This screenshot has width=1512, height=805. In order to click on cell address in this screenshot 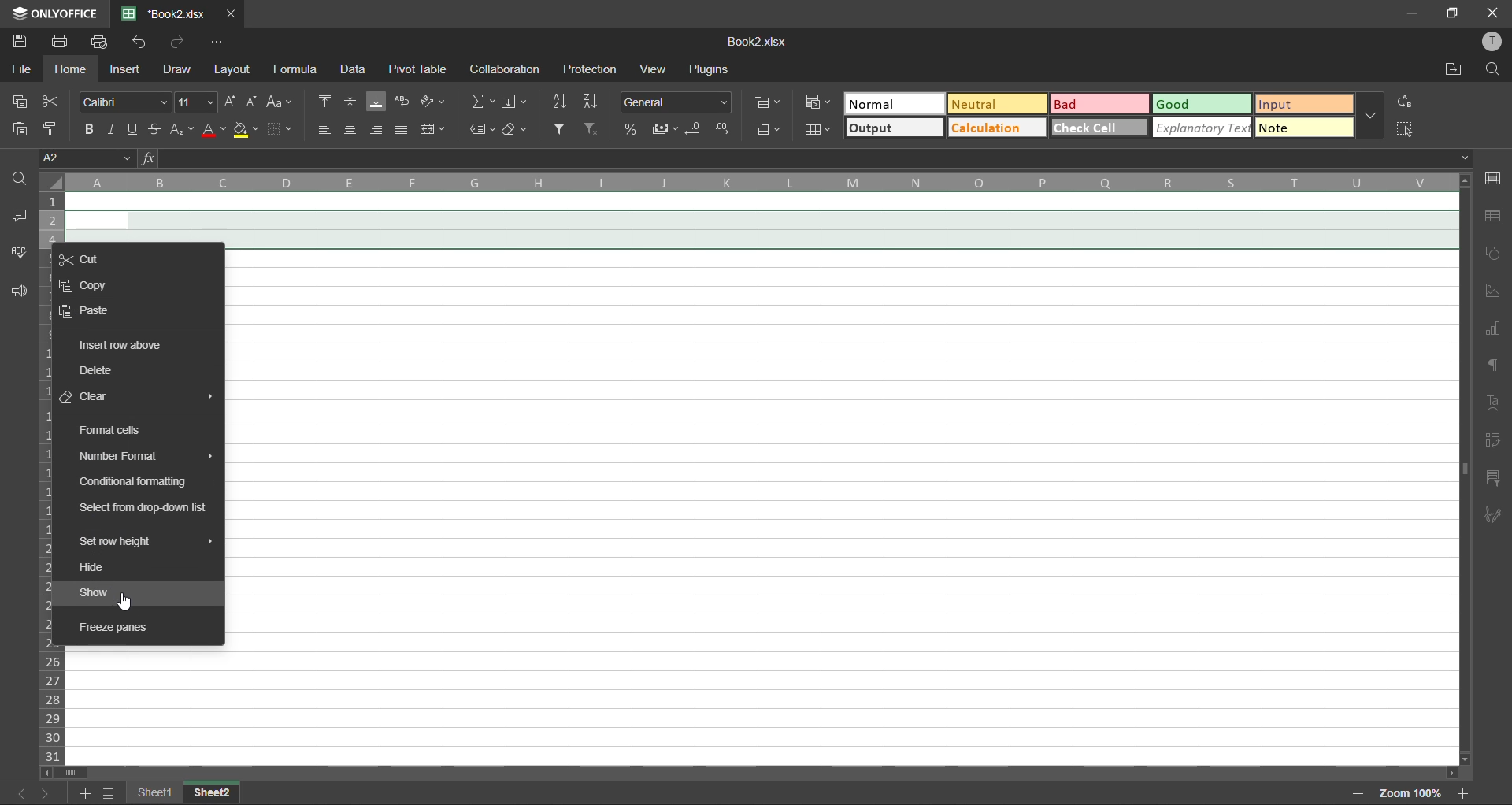, I will do `click(88, 159)`.